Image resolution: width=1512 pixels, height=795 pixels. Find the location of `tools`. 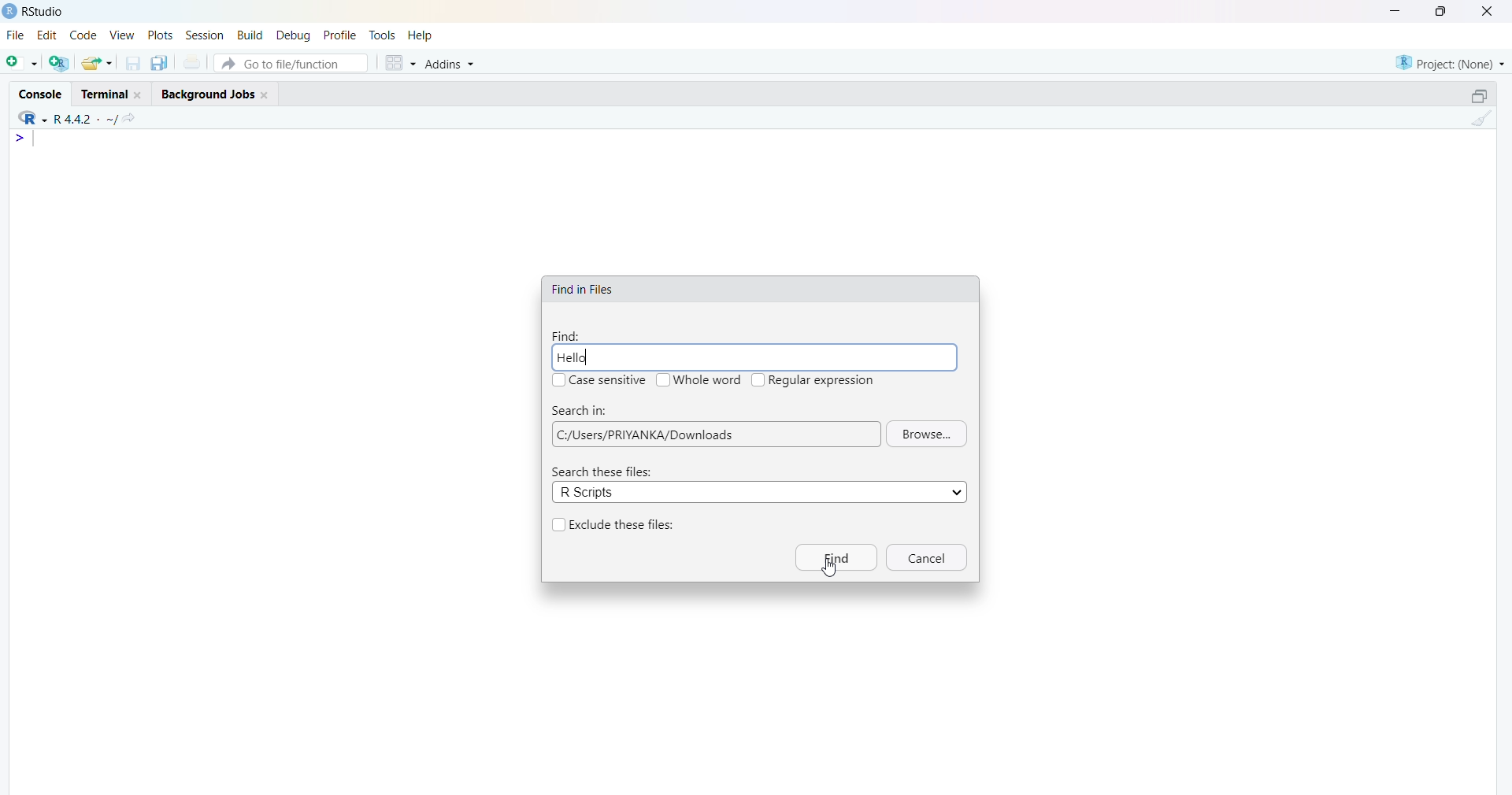

tools is located at coordinates (383, 35).